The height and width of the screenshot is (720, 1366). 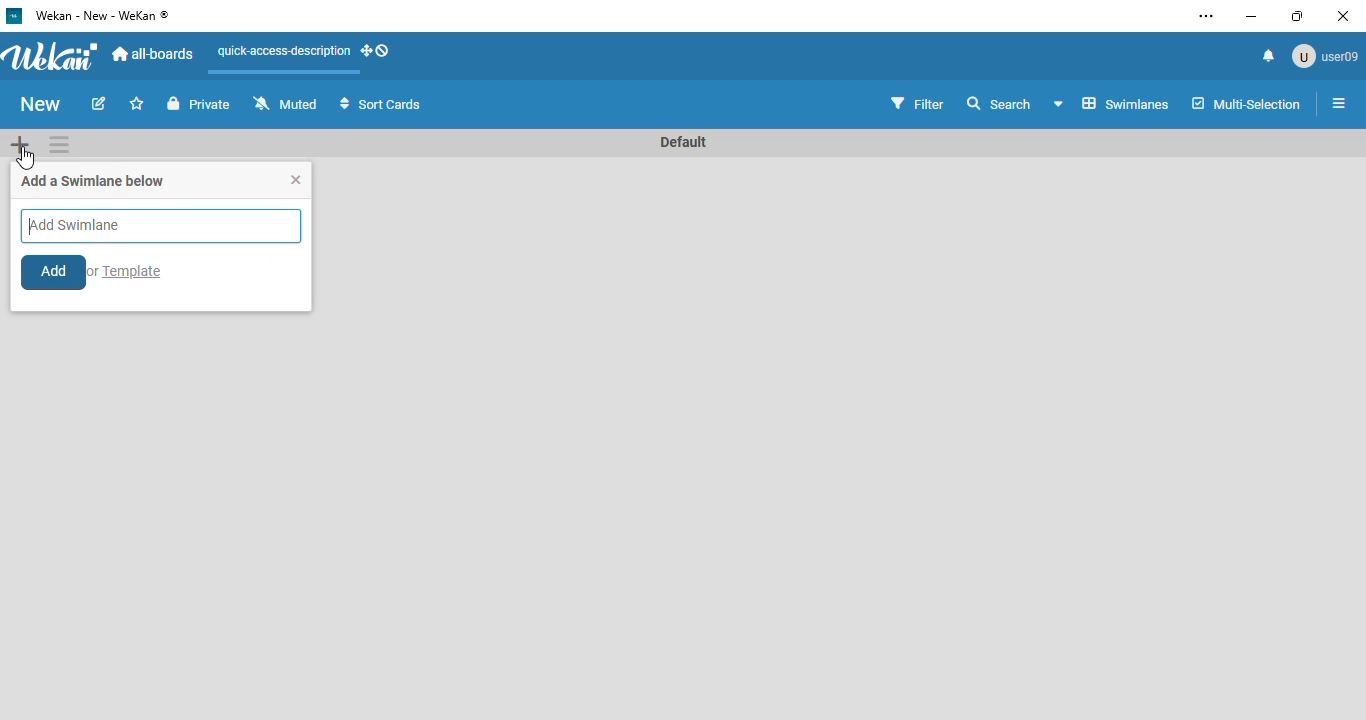 What do you see at coordinates (95, 181) in the screenshot?
I see `add a swimlane below` at bounding box center [95, 181].